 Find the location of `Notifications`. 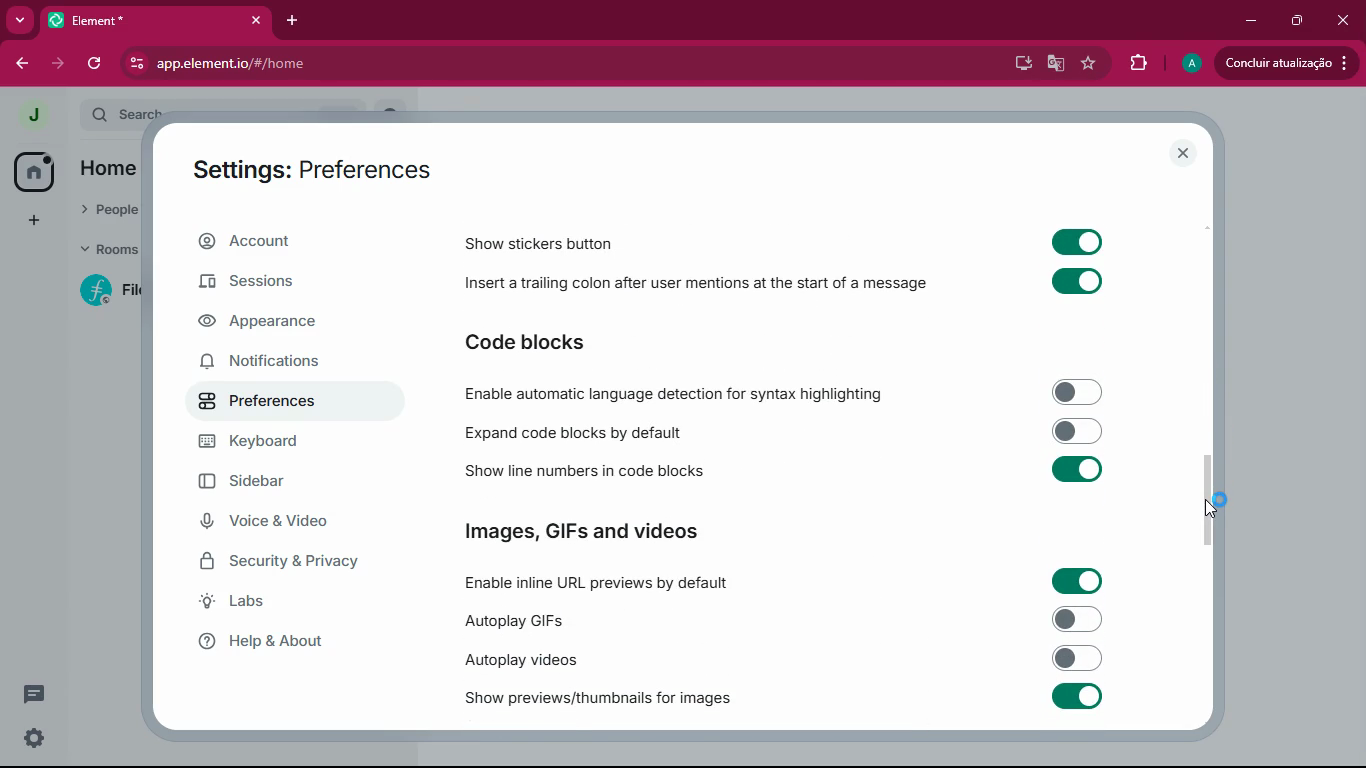

Notifications is located at coordinates (259, 362).